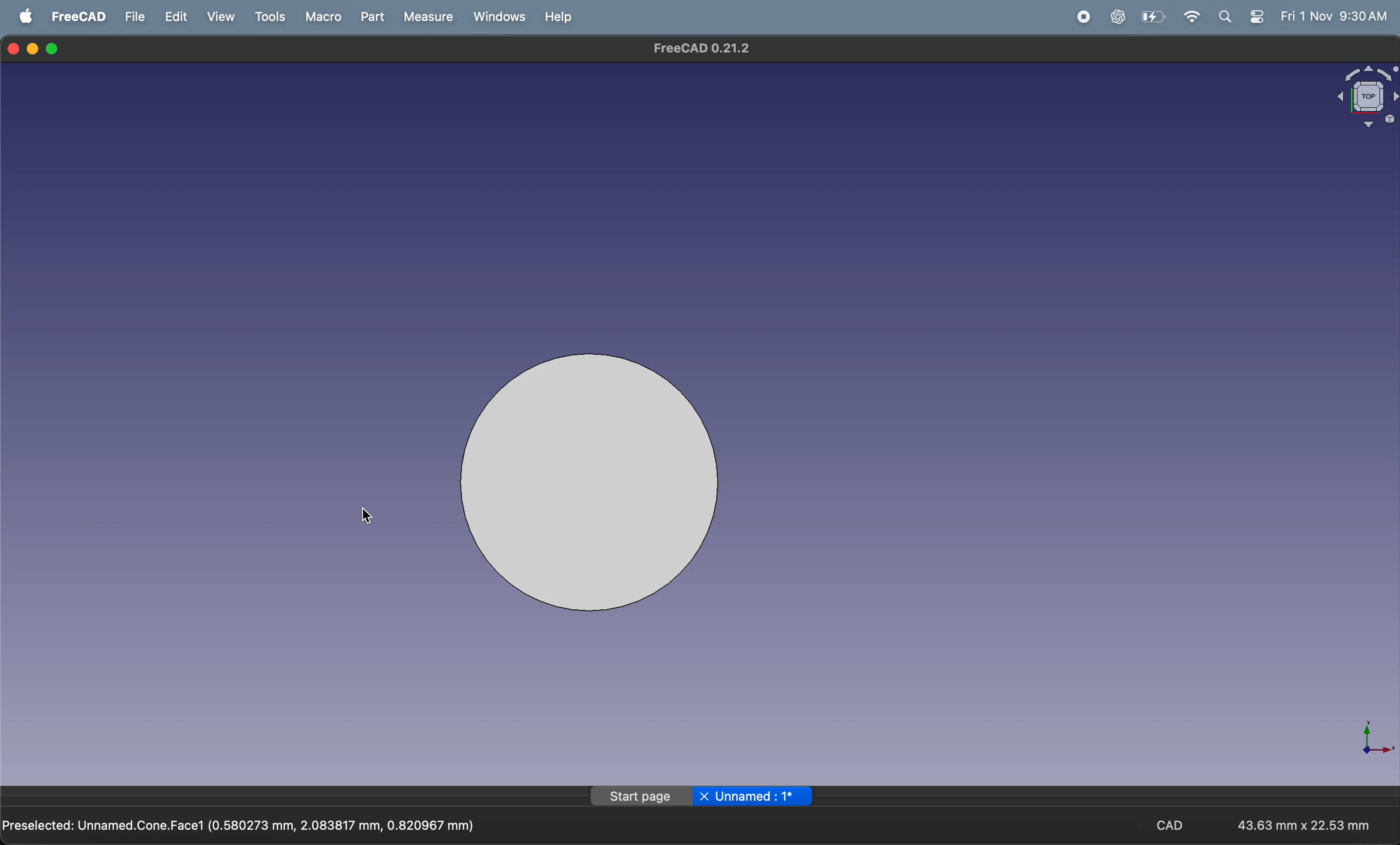 Image resolution: width=1400 pixels, height=845 pixels. What do you see at coordinates (641, 797) in the screenshot?
I see `Start page` at bounding box center [641, 797].